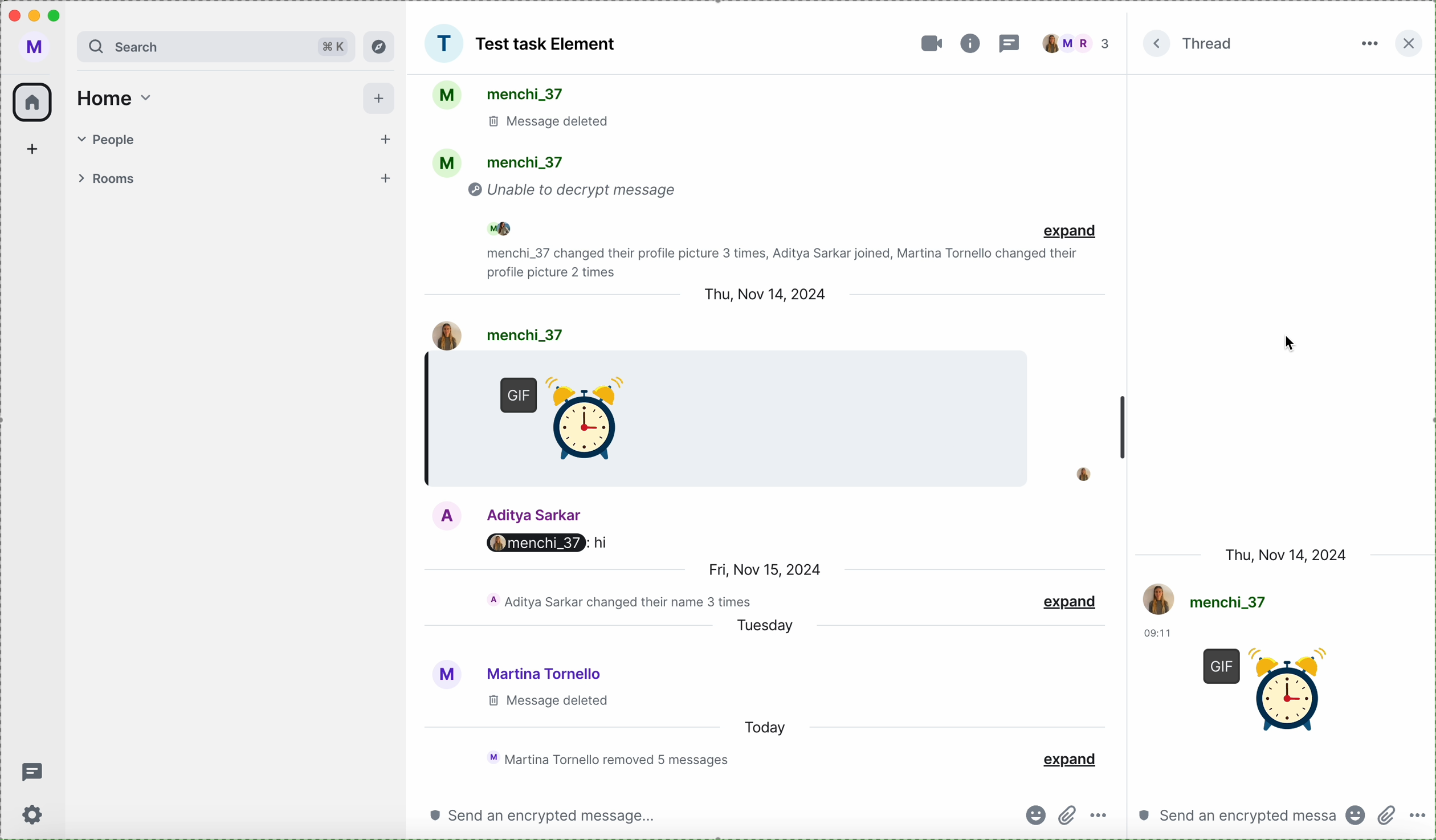 The width and height of the screenshot is (1436, 840). Describe the element at coordinates (1069, 758) in the screenshot. I see `expand` at that location.